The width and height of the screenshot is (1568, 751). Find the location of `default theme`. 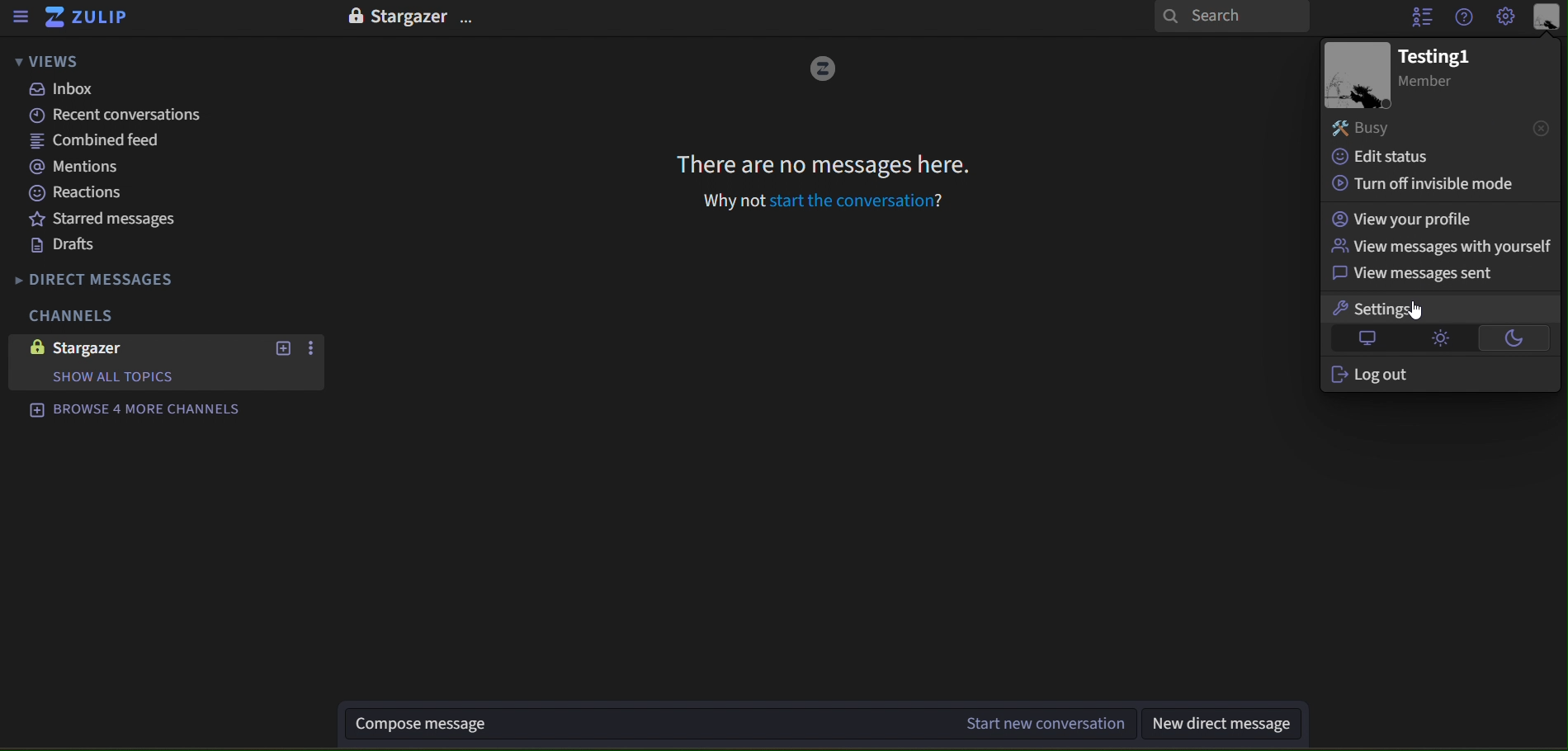

default theme is located at coordinates (1369, 339).